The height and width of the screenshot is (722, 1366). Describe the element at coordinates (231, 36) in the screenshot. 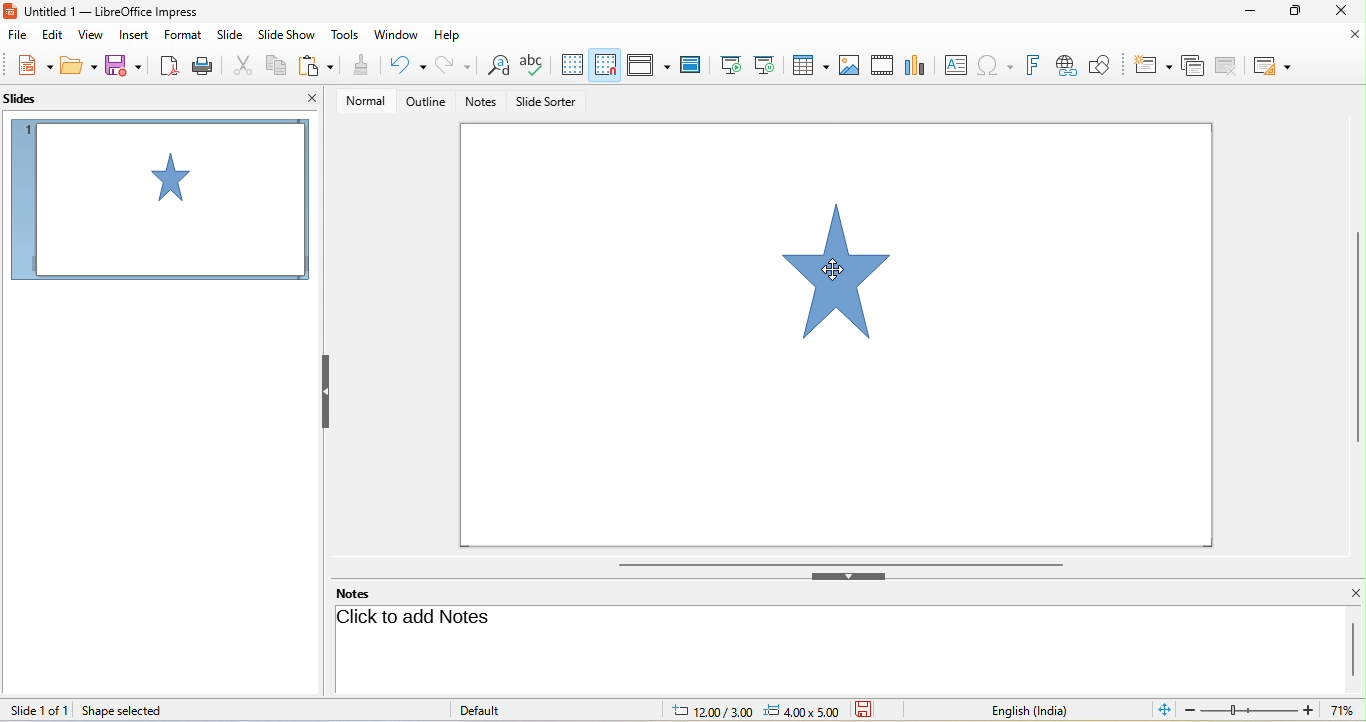

I see `slide` at that location.